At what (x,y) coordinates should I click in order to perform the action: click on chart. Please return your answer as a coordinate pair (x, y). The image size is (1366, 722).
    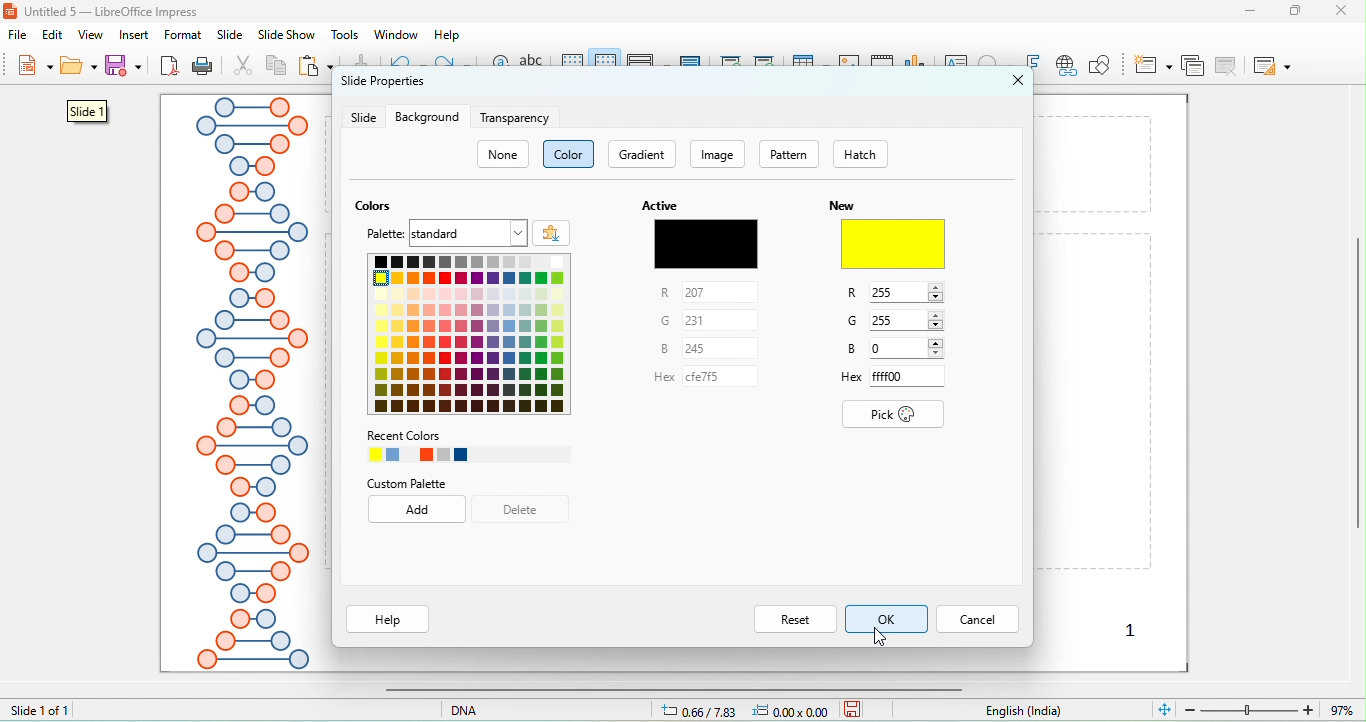
    Looking at the image, I should click on (850, 66).